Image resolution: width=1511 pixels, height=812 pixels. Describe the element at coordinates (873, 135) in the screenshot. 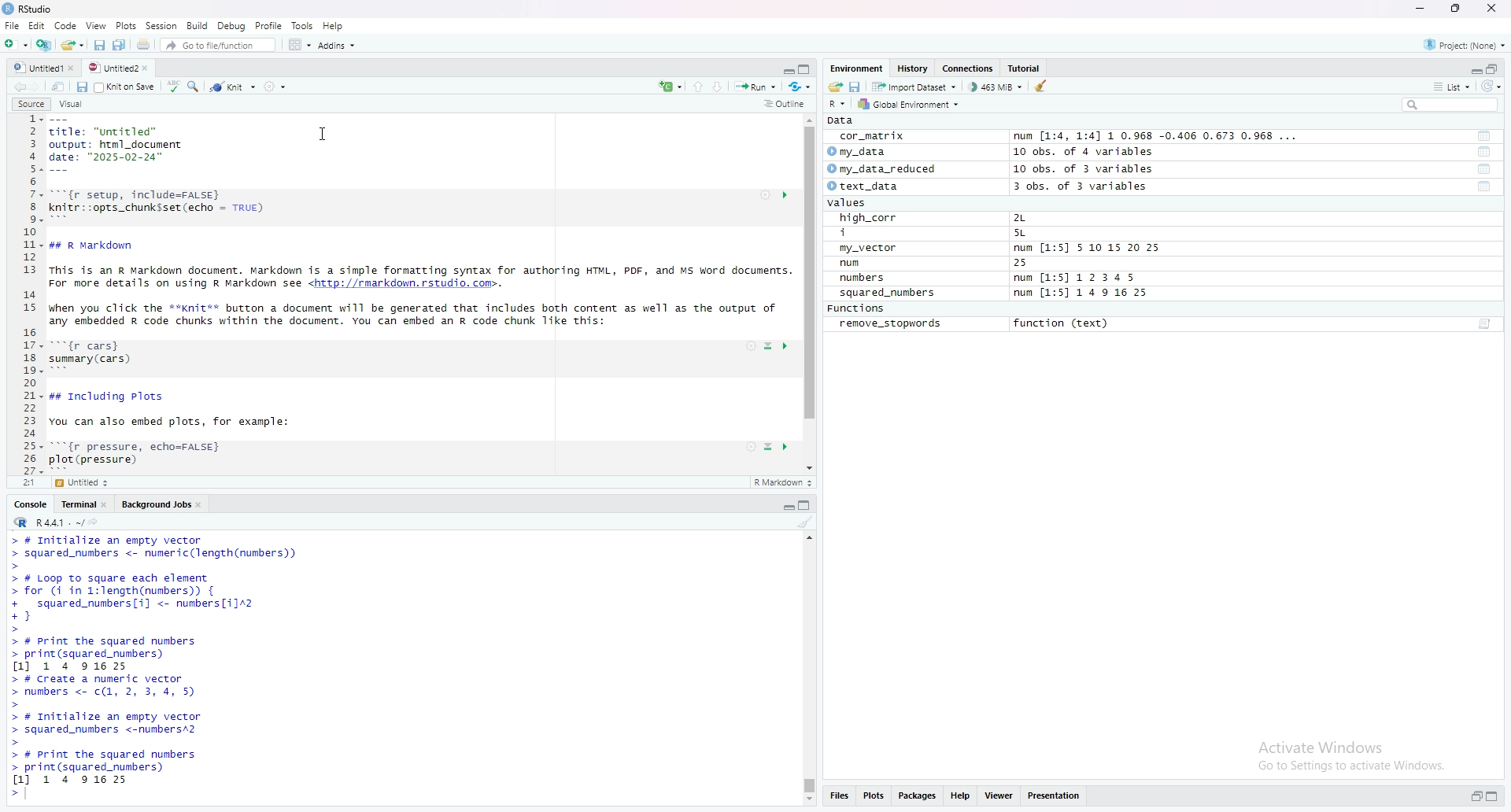

I see `cor_matrix` at that location.